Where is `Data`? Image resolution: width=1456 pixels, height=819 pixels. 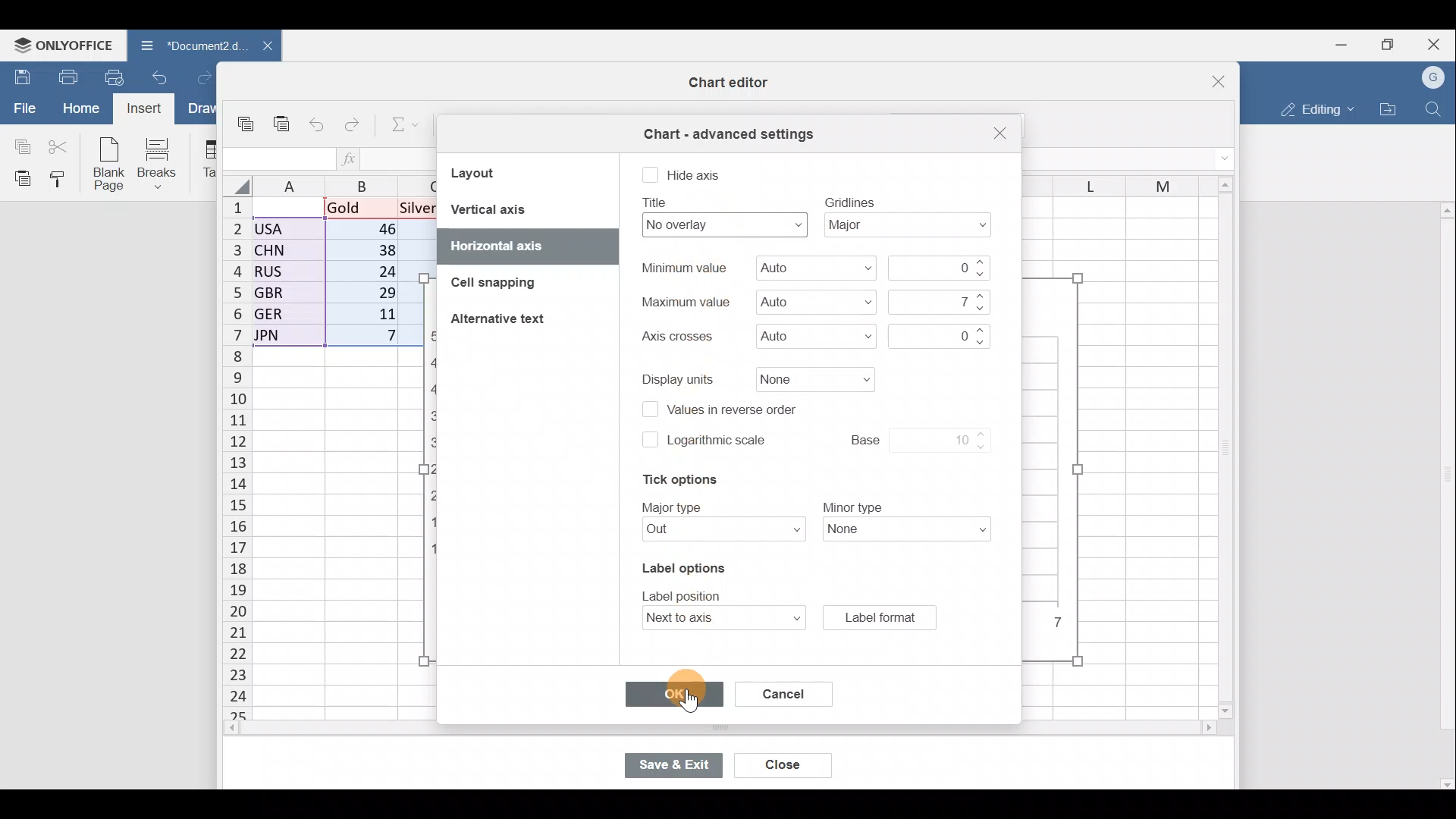
Data is located at coordinates (331, 277).